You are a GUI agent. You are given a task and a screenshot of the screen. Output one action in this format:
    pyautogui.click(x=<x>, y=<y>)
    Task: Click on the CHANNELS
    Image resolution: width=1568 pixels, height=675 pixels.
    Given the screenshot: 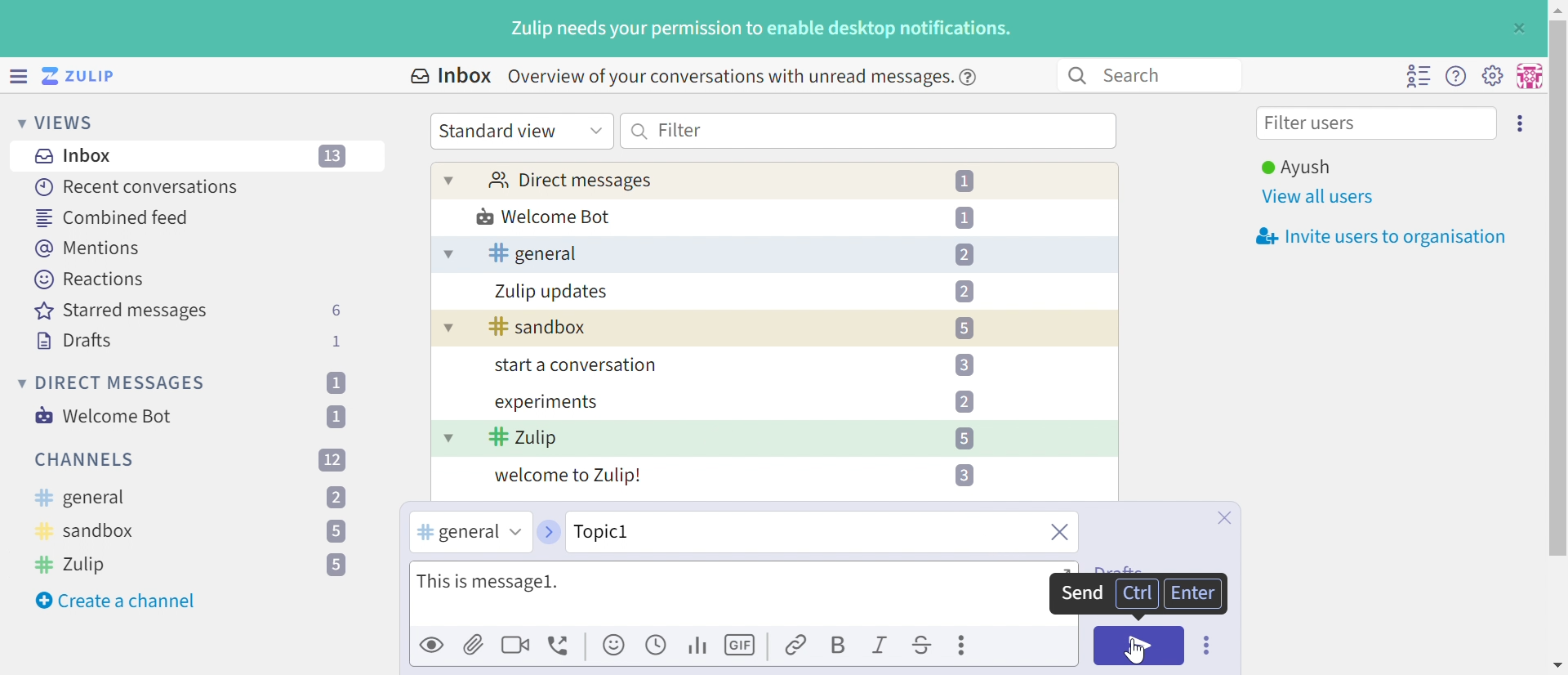 What is the action you would take?
    pyautogui.click(x=86, y=460)
    